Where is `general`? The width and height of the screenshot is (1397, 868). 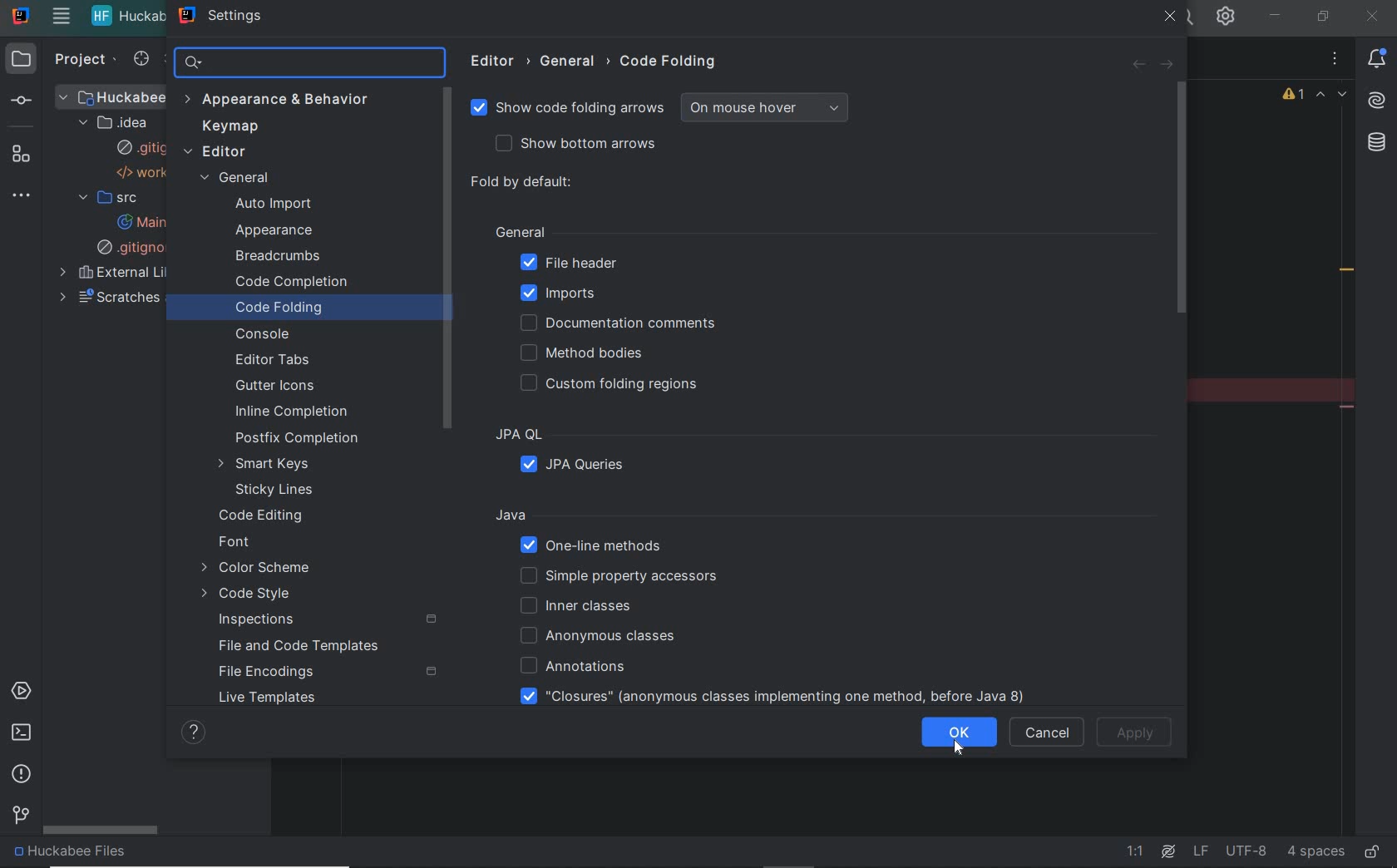
general is located at coordinates (238, 179).